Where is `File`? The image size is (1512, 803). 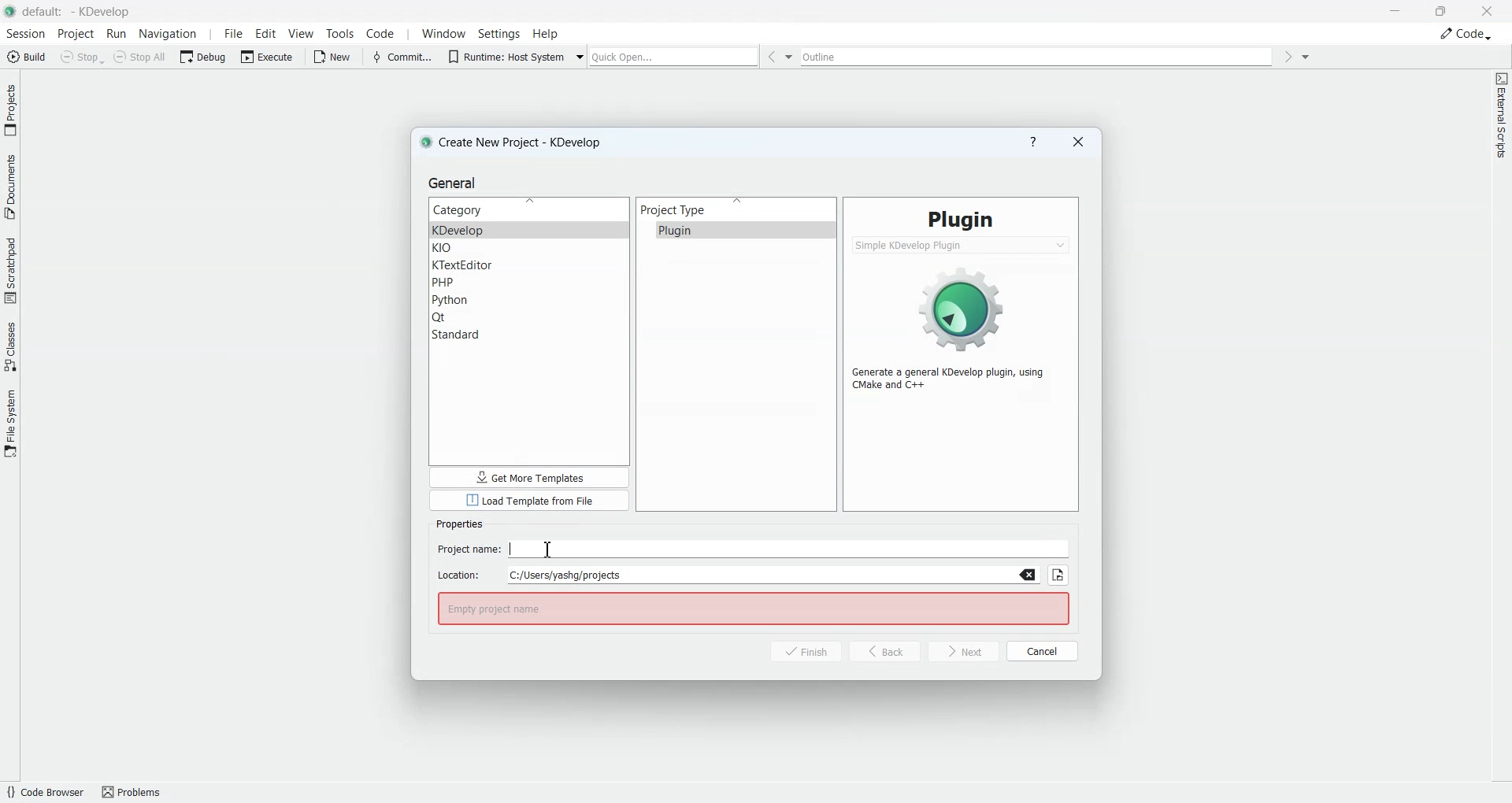
File is located at coordinates (231, 34).